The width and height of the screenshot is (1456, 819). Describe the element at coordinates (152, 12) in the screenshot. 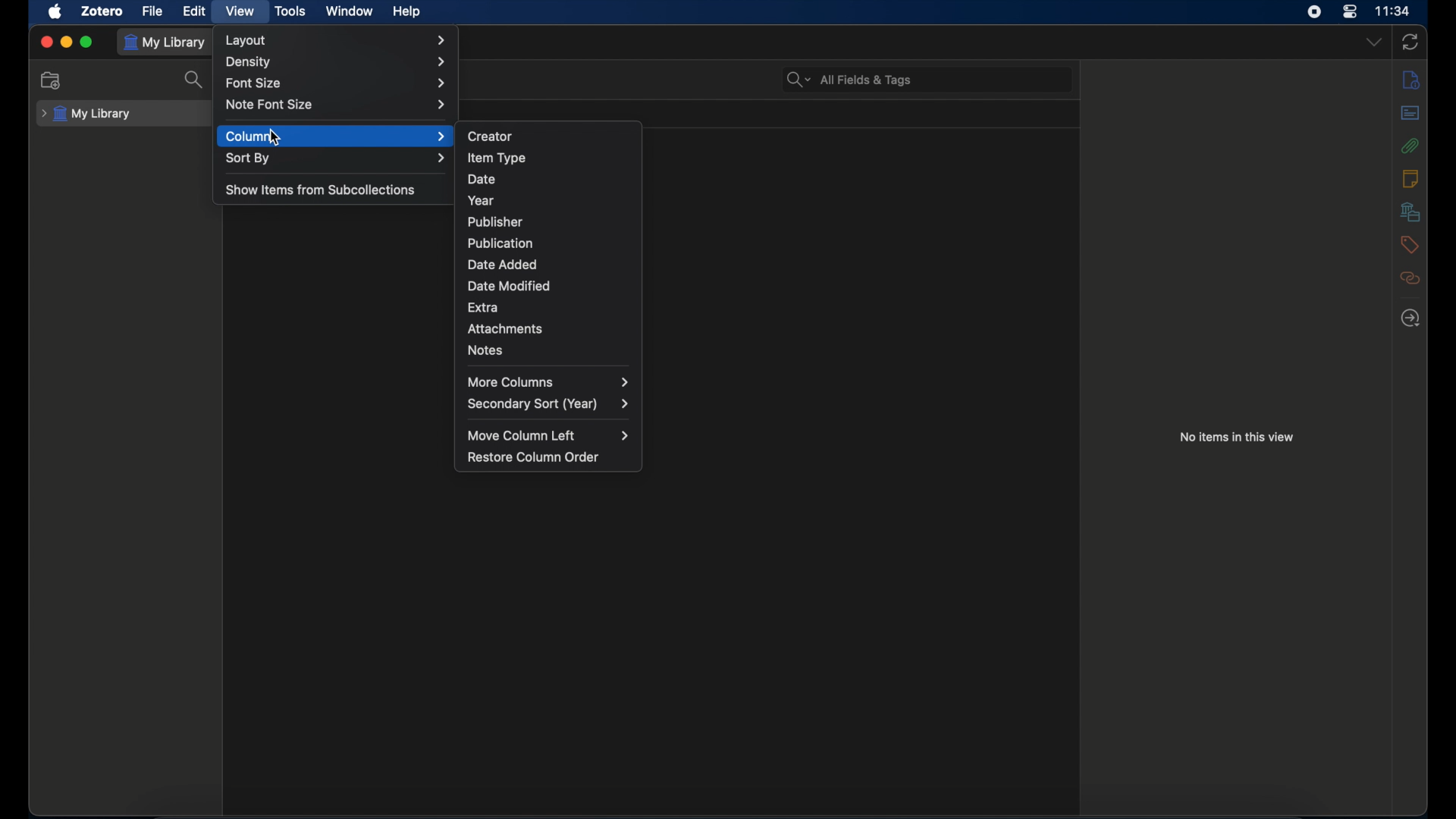

I see `file` at that location.